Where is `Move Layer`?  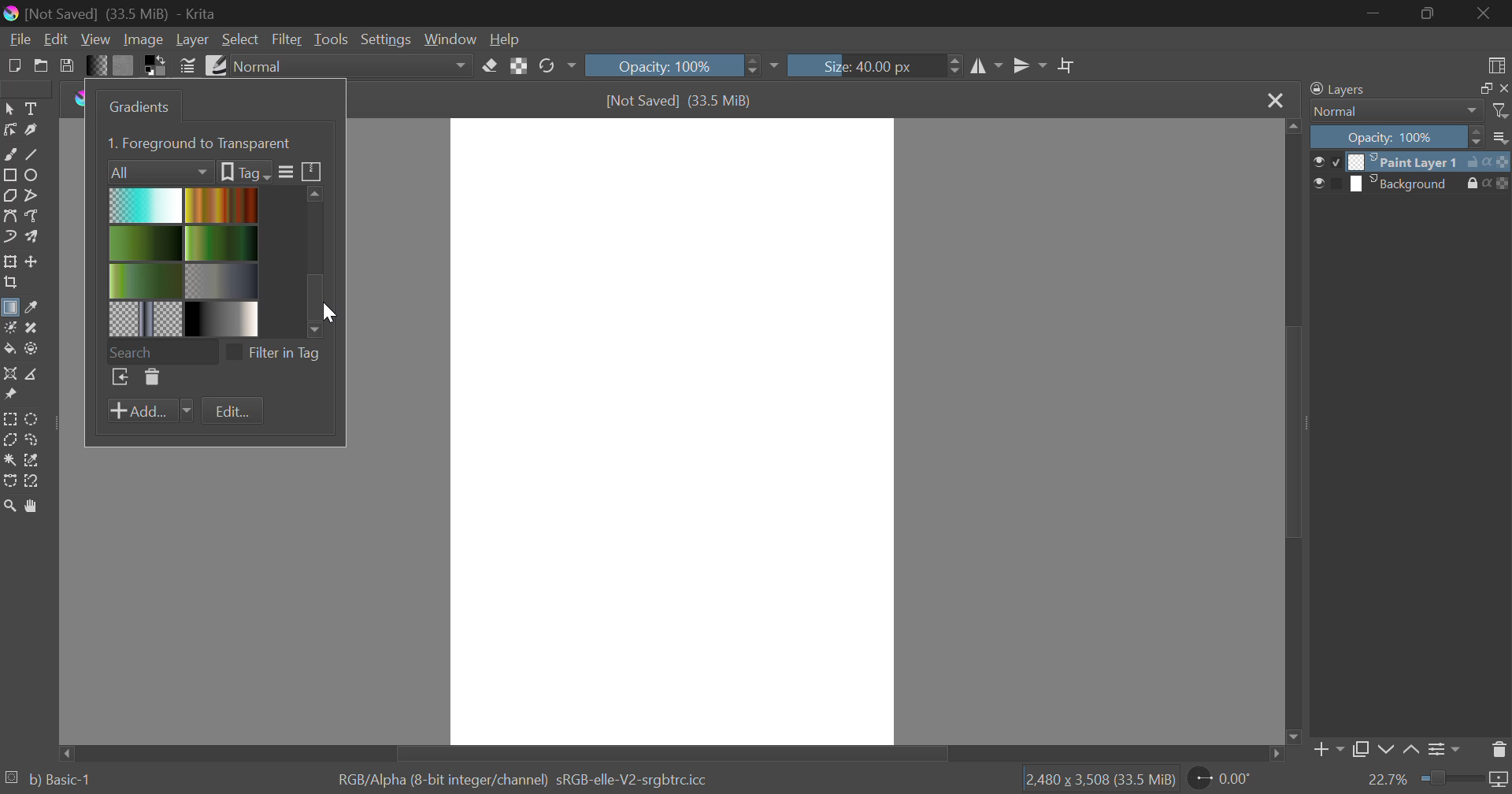
Move Layer is located at coordinates (32, 262).